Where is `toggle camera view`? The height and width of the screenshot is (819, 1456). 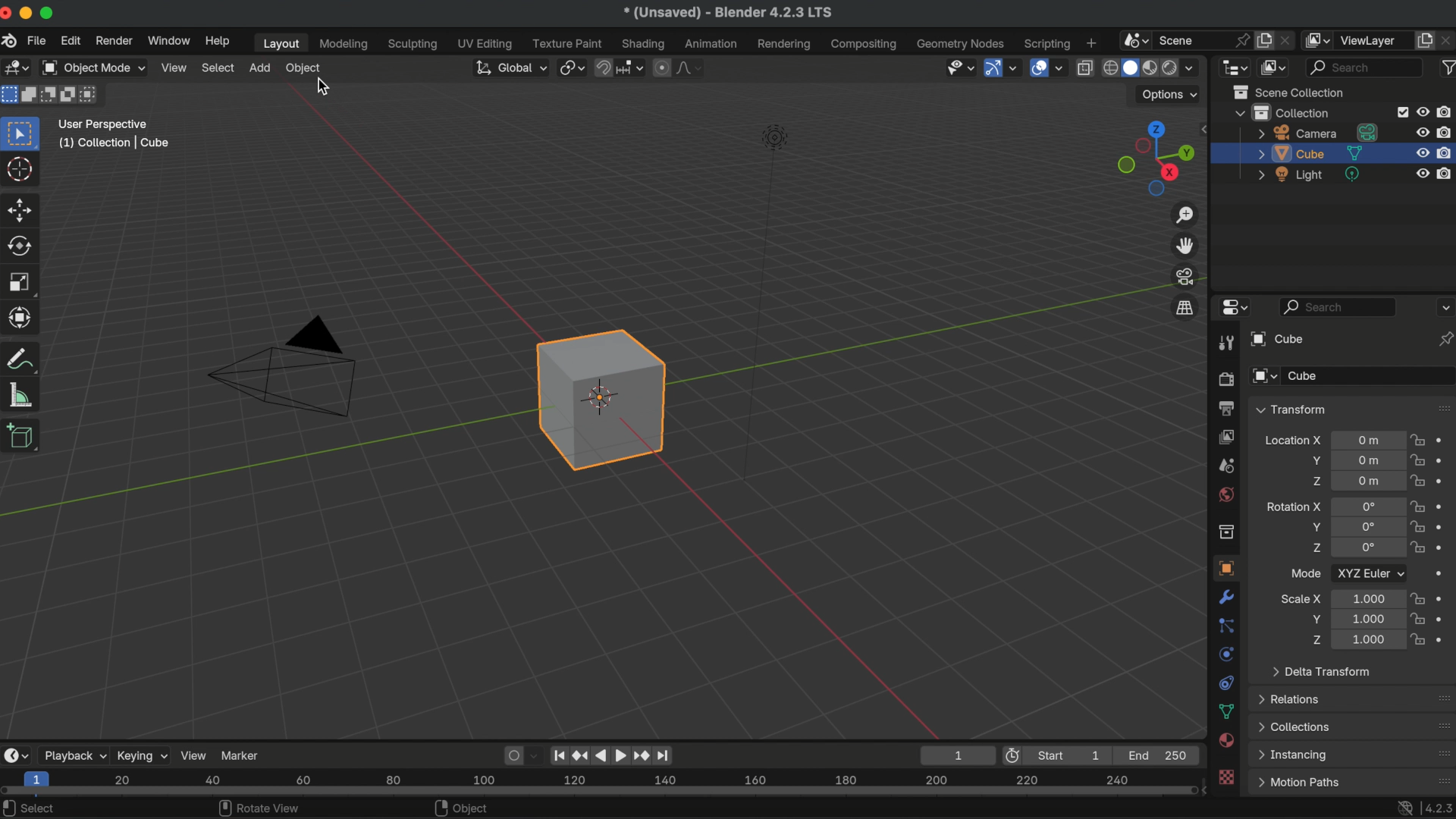 toggle camera view is located at coordinates (1186, 276).